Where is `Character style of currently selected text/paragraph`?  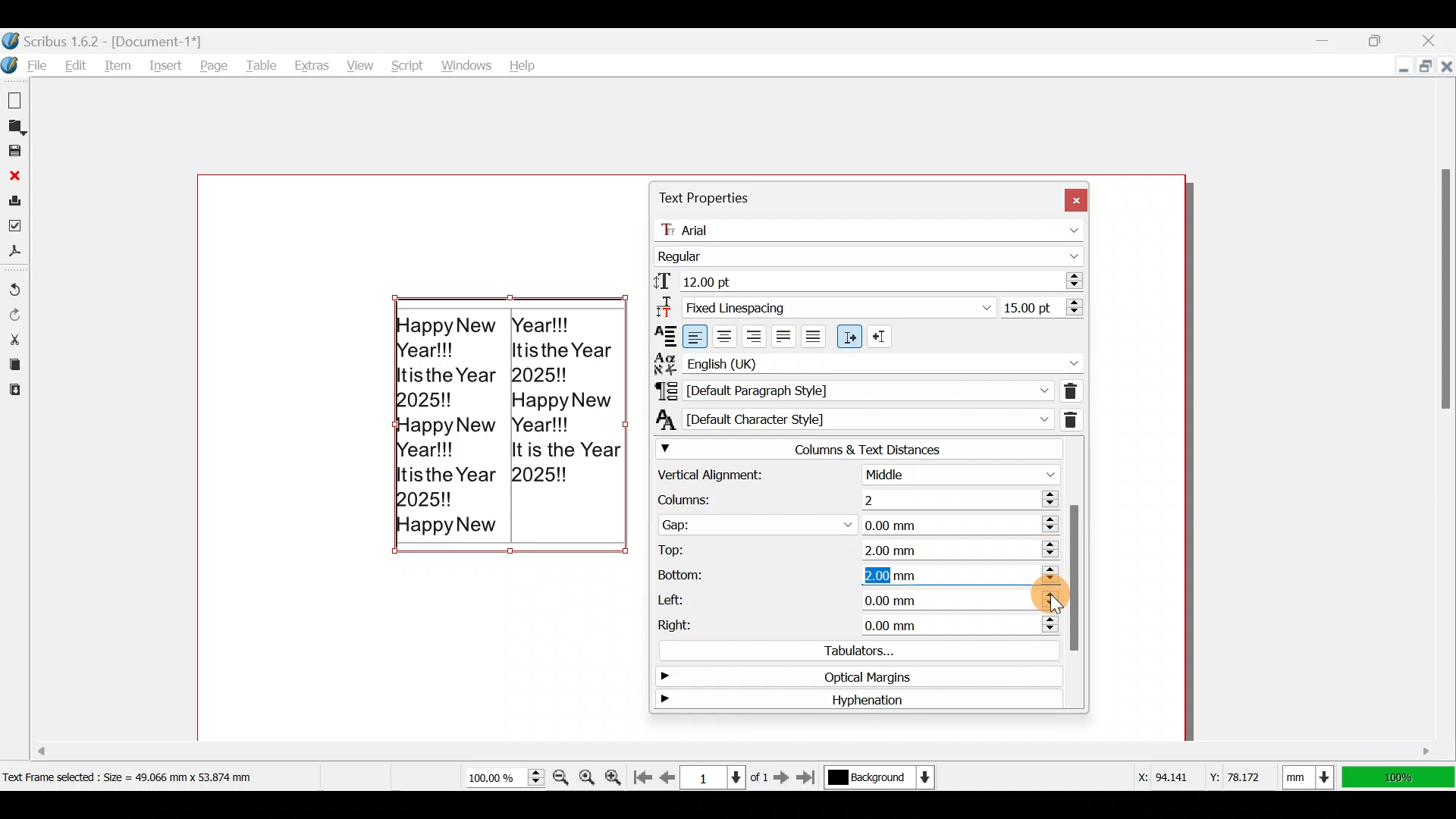
Character style of currently selected text/paragraph is located at coordinates (850, 419).